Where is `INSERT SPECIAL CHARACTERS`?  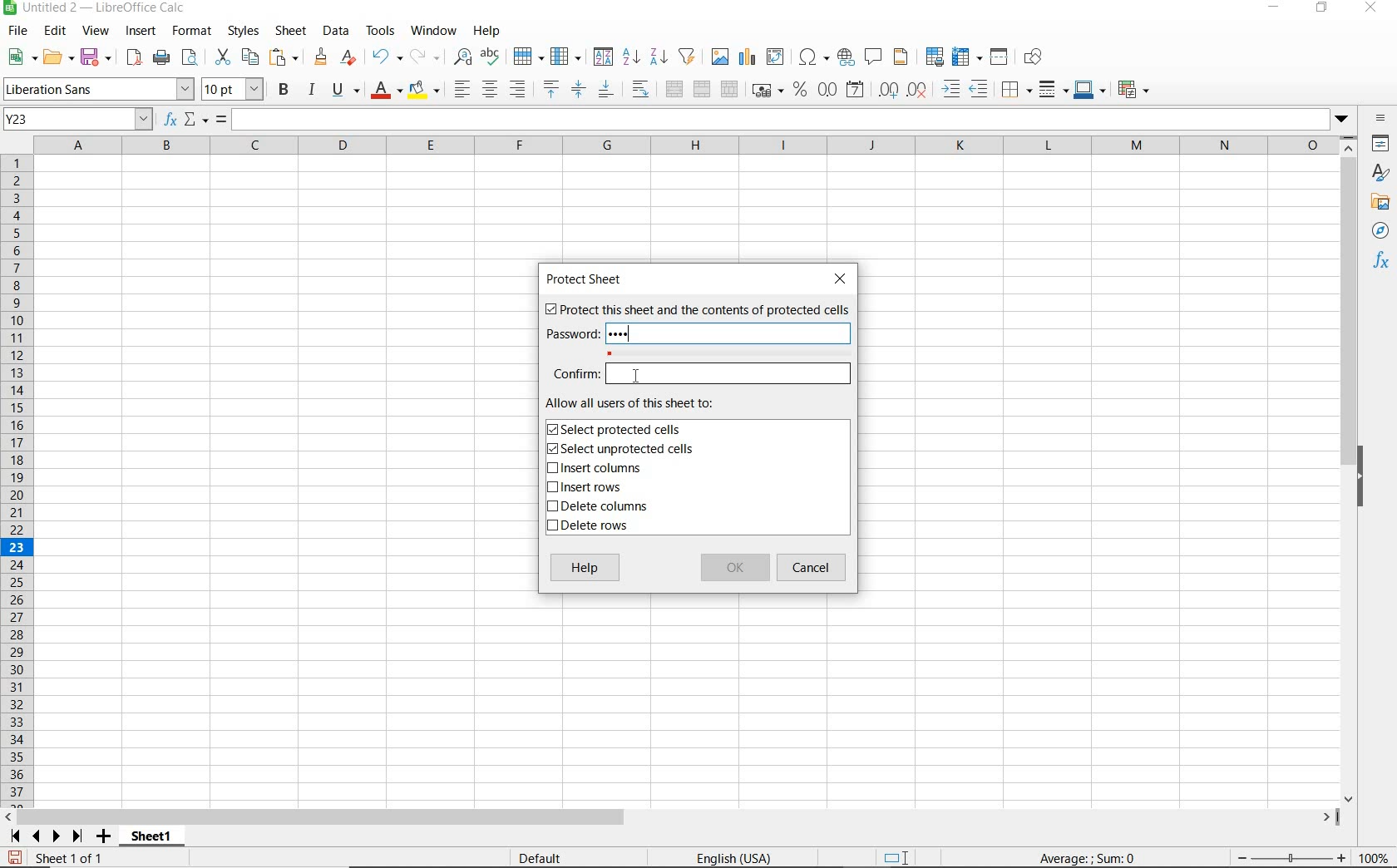 INSERT SPECIAL CHARACTERS is located at coordinates (815, 57).